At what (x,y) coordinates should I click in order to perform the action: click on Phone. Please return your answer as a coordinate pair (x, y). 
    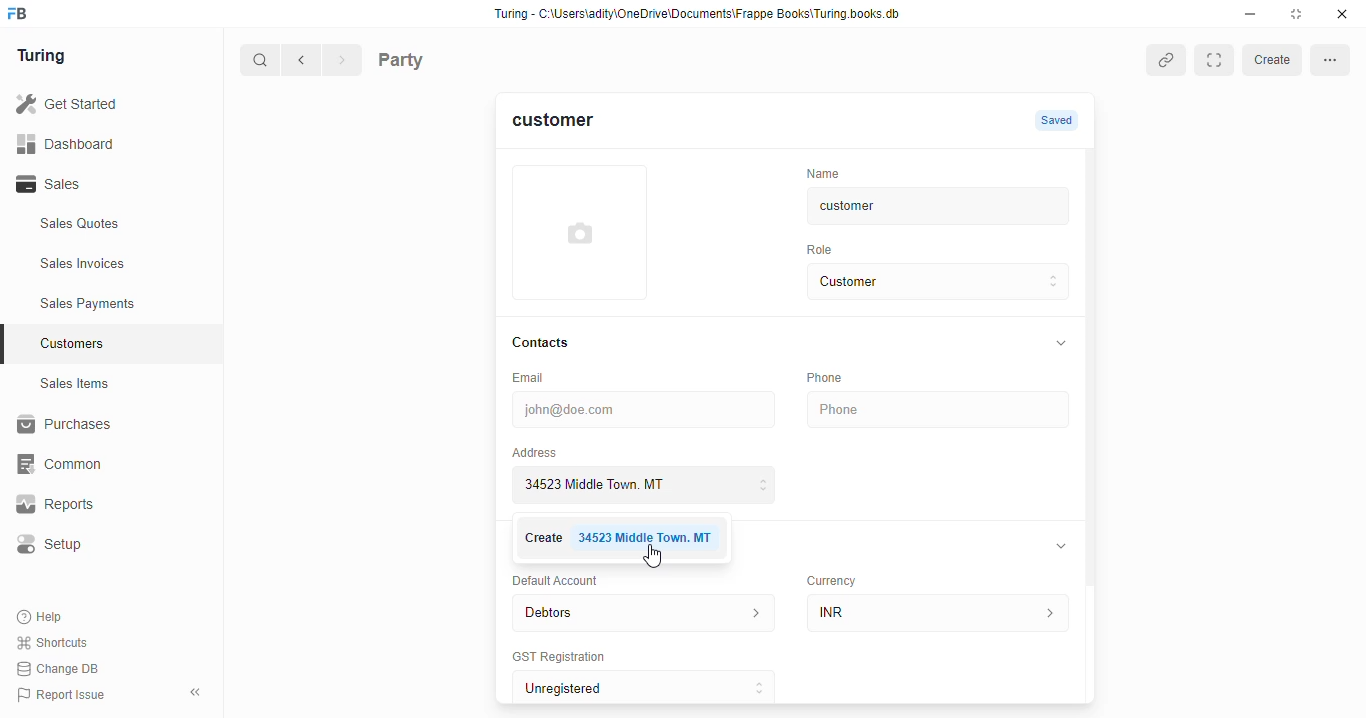
    Looking at the image, I should click on (822, 377).